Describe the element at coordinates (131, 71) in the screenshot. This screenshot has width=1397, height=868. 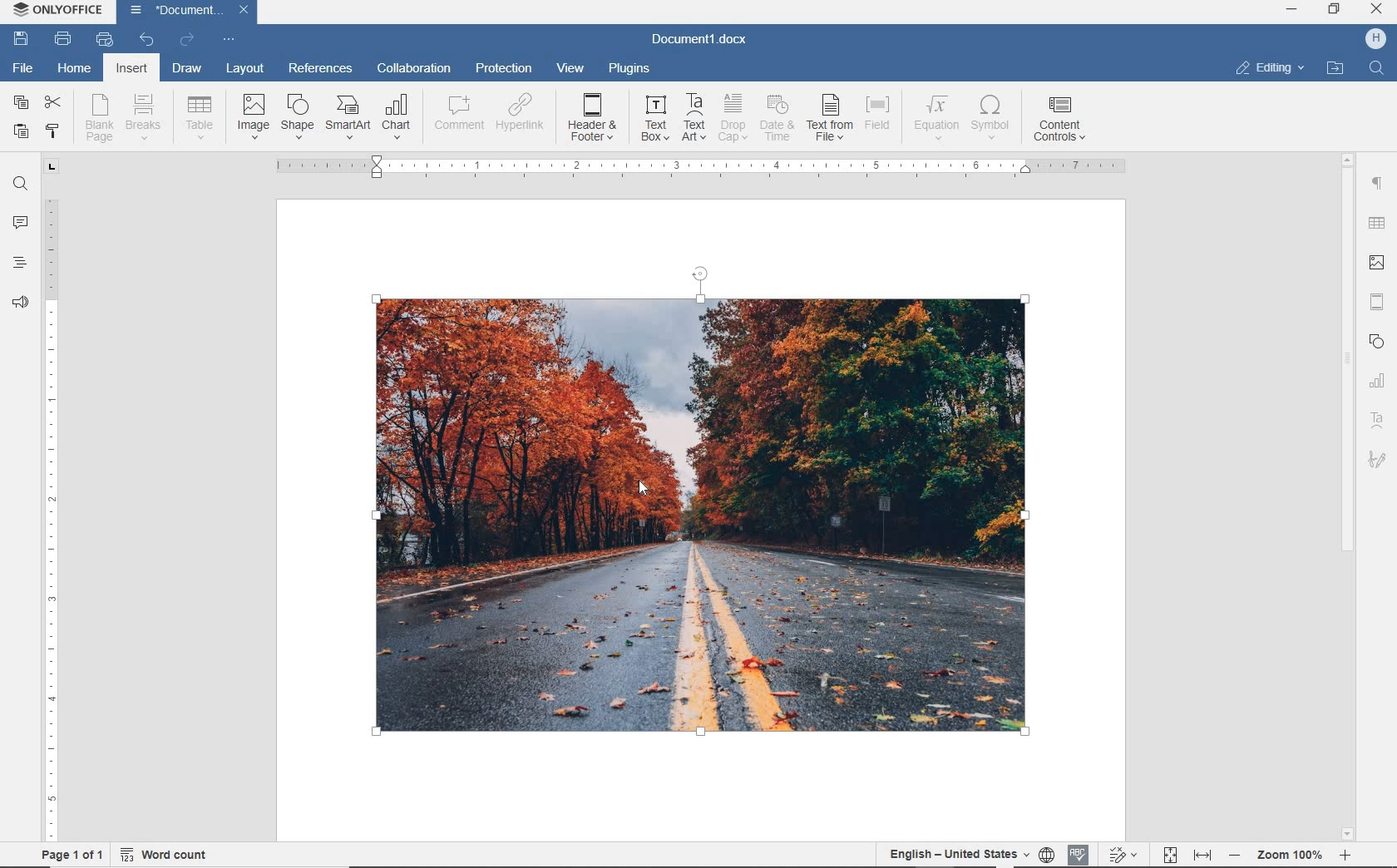
I see `insert` at that location.